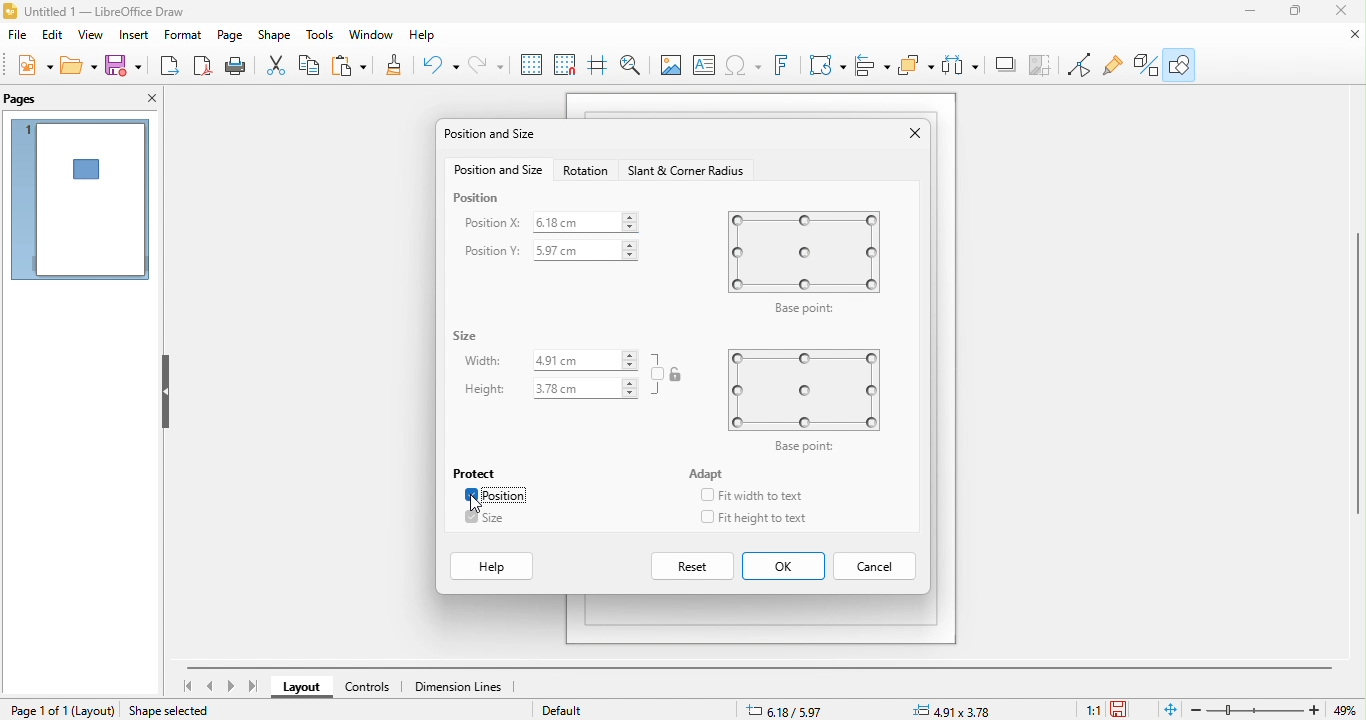 The image size is (1366, 720). What do you see at coordinates (1111, 66) in the screenshot?
I see `show gluepoint function` at bounding box center [1111, 66].